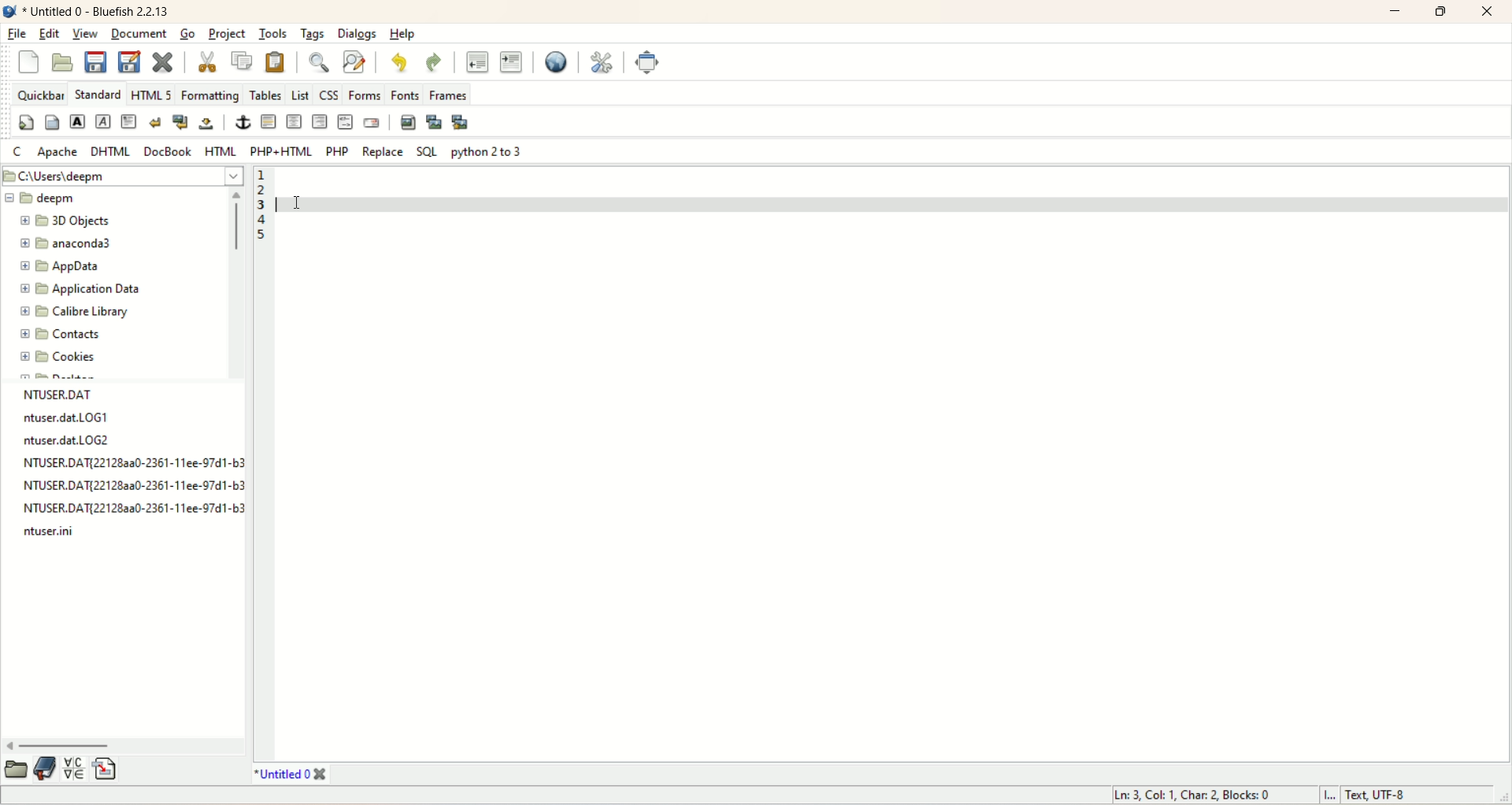  Describe the element at coordinates (381, 150) in the screenshot. I see `REPLACE` at that location.